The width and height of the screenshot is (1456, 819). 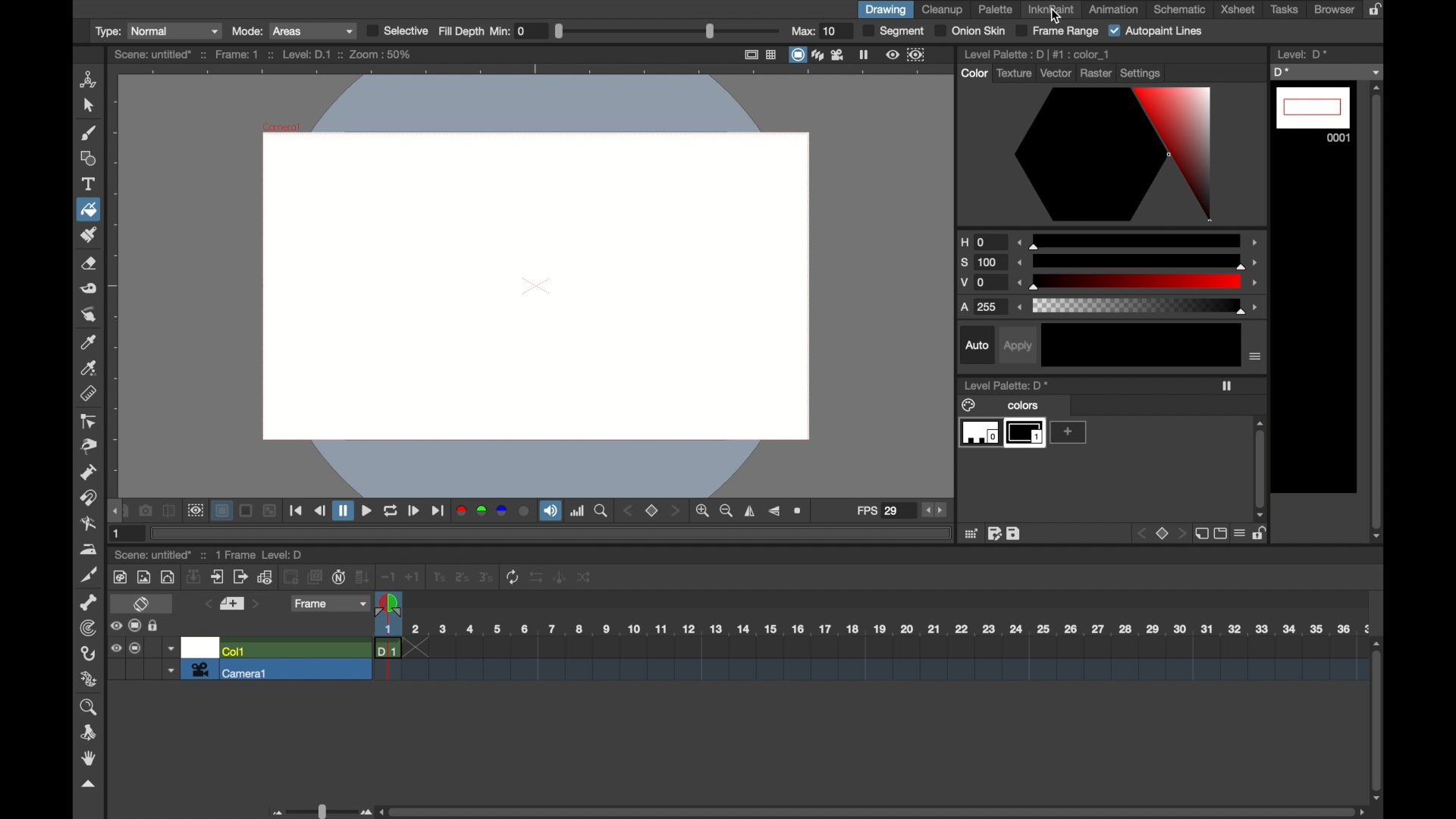 I want to click on min, so click(x=510, y=30).